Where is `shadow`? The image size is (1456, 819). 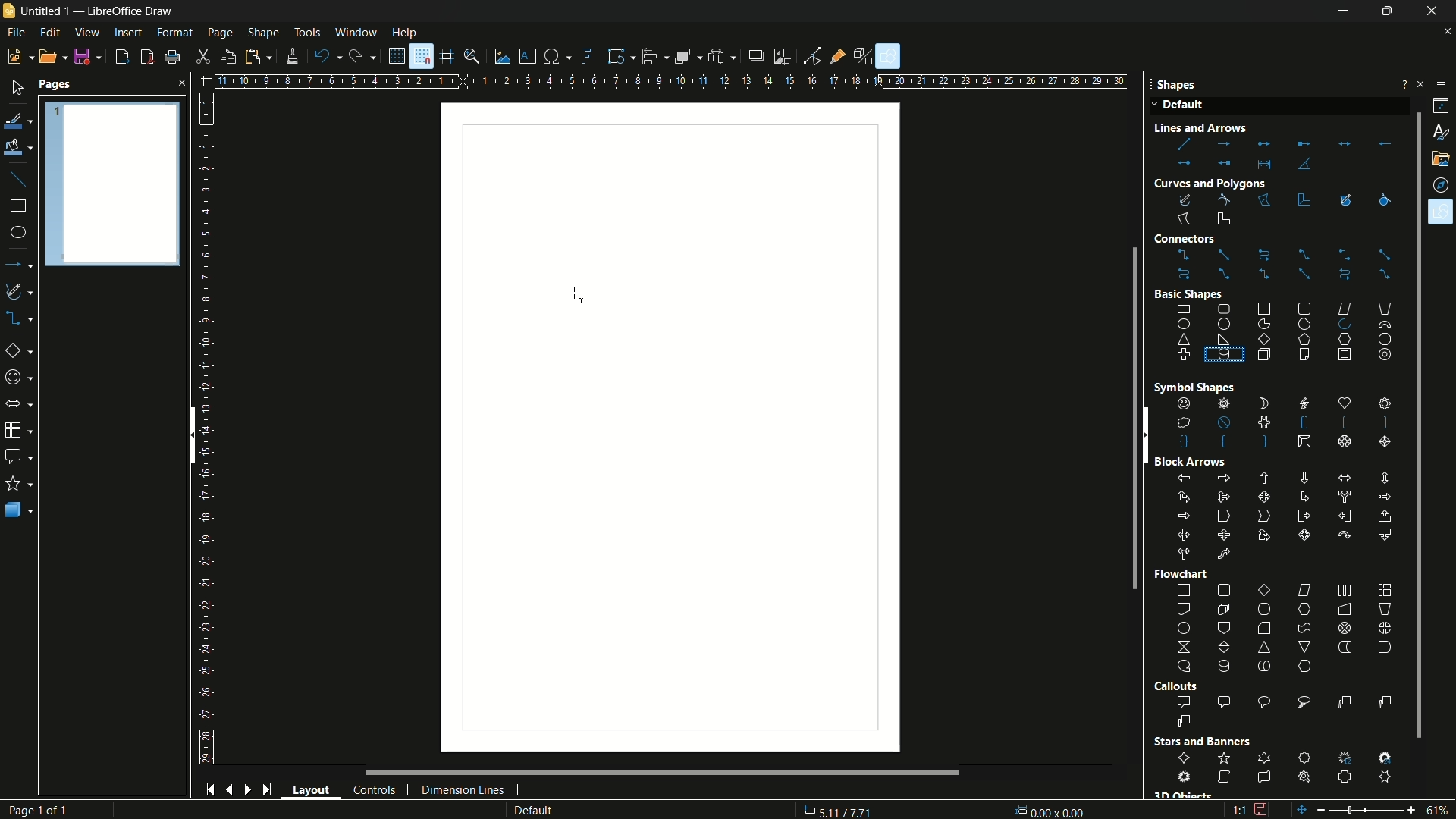
shadow is located at coordinates (755, 55).